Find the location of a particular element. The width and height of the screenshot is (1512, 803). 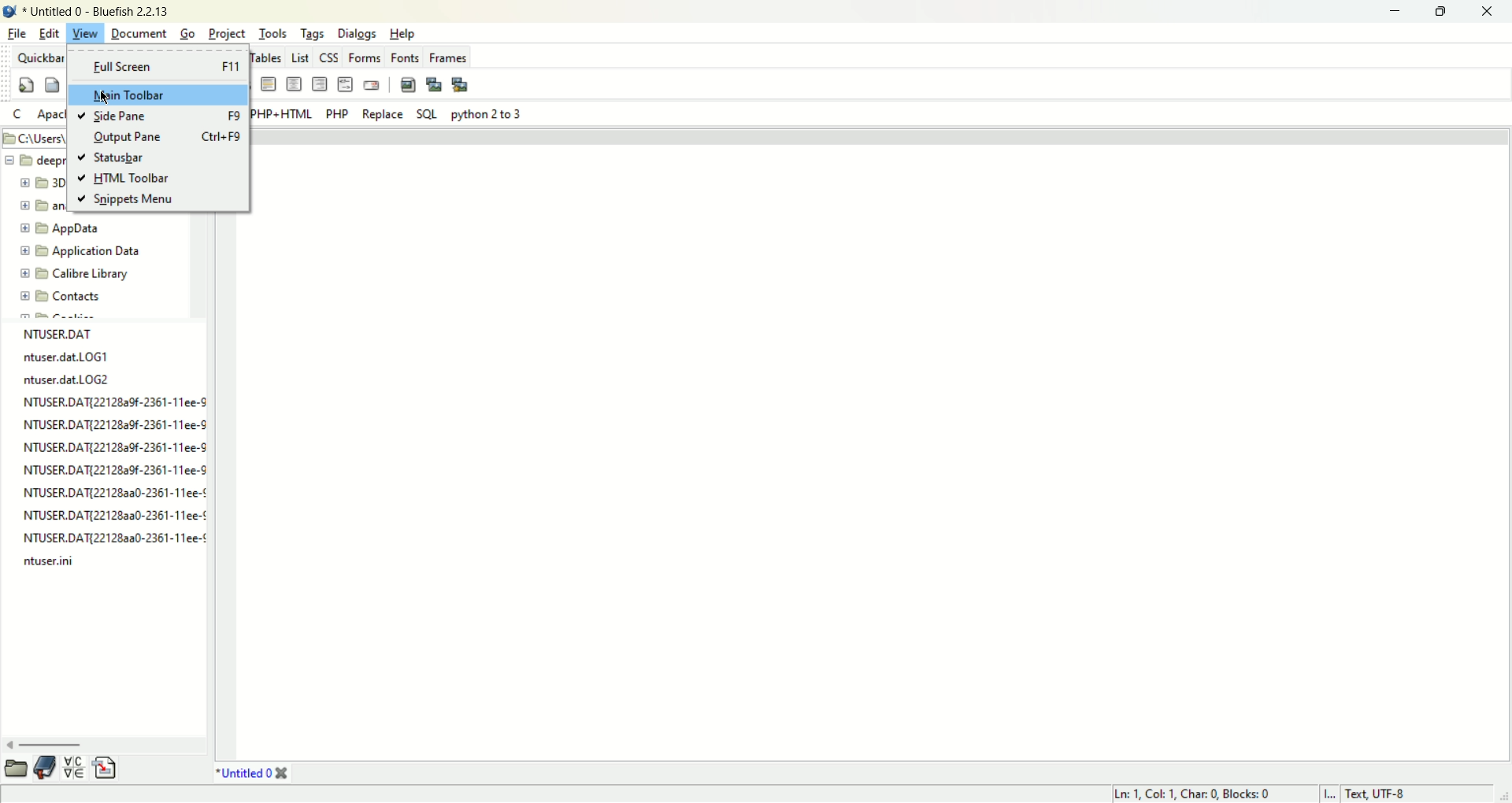

maximize is located at coordinates (1440, 13).